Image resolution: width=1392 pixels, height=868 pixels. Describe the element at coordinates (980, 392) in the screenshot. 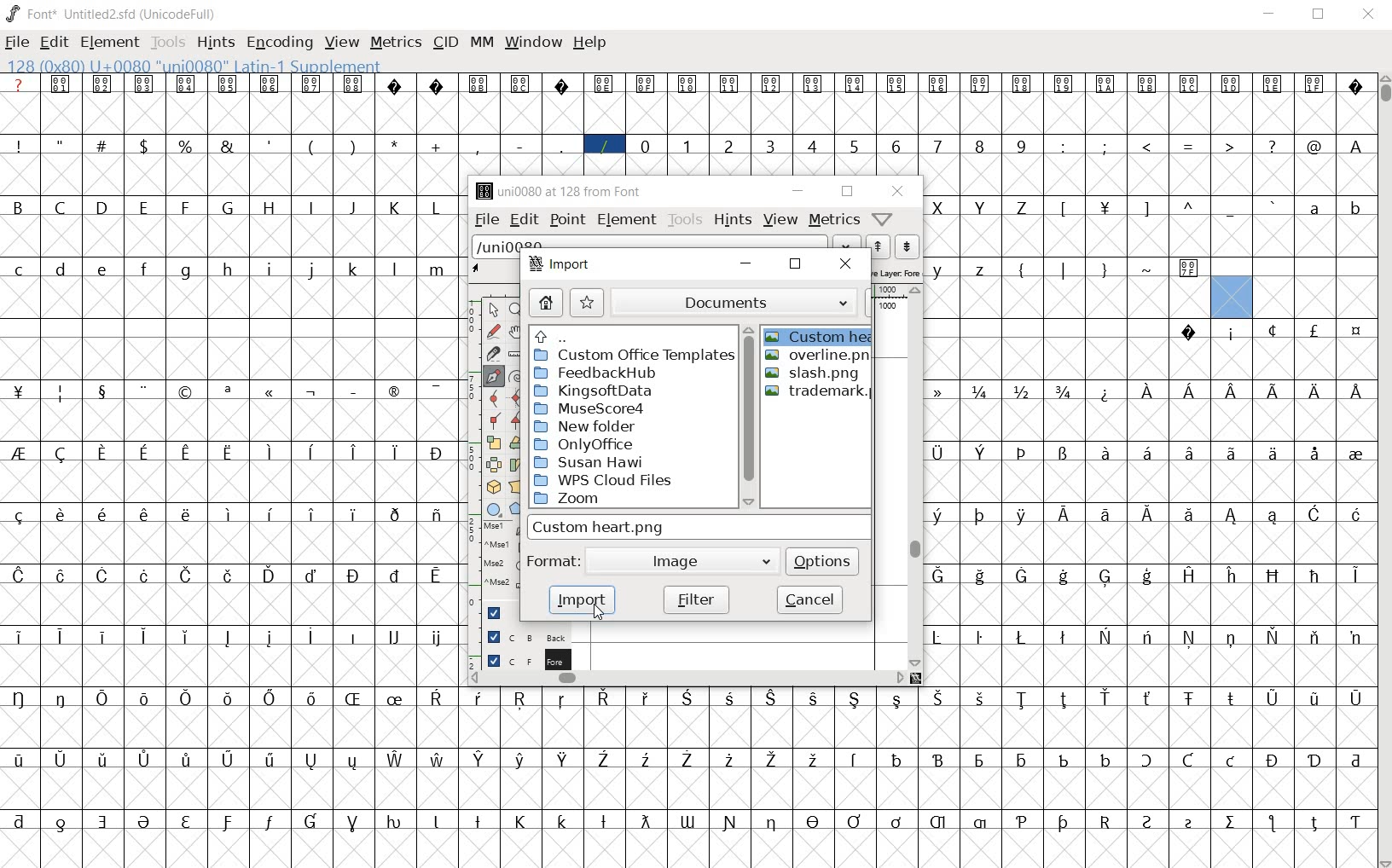

I see `glyph` at that location.